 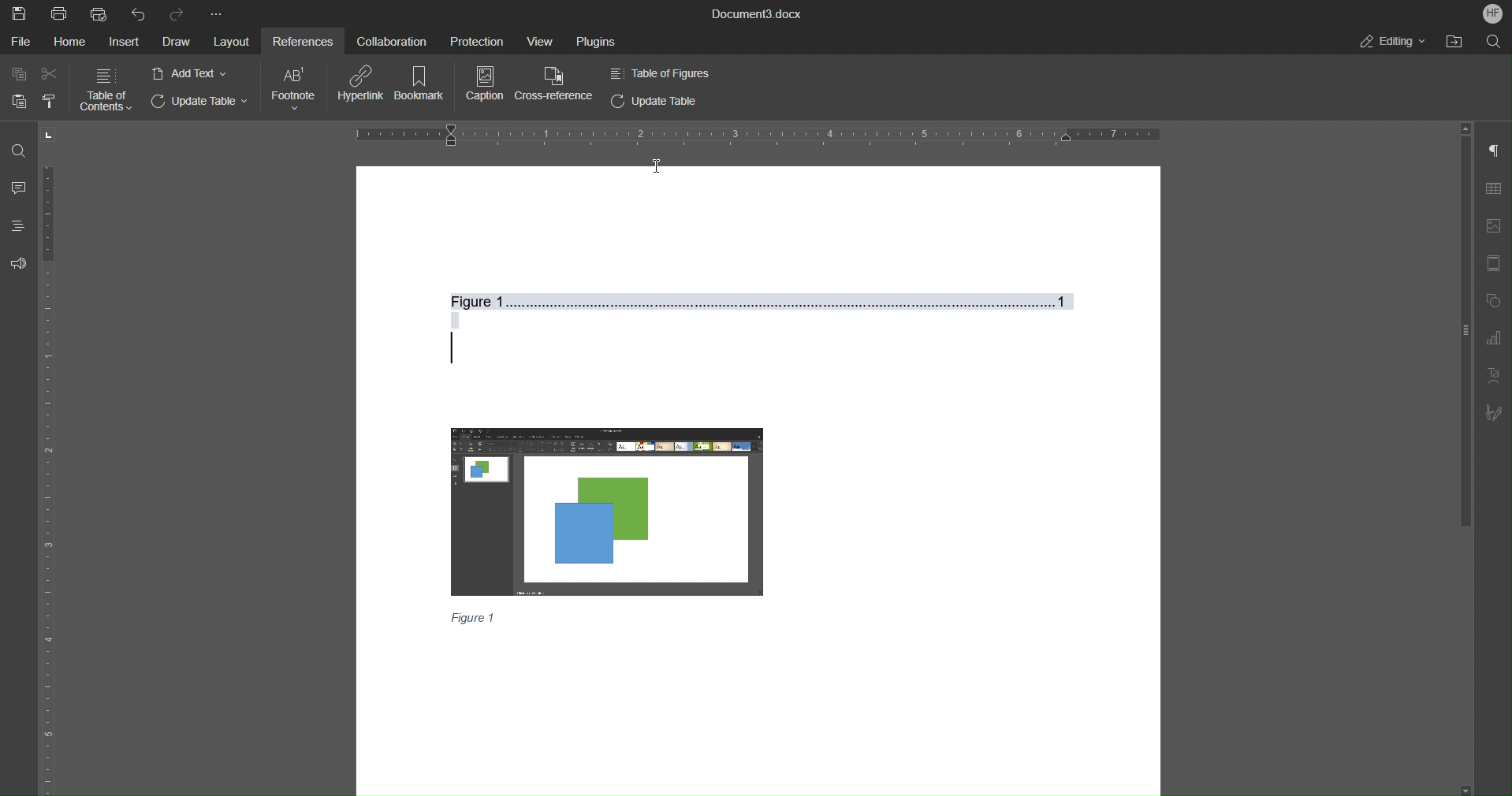 I want to click on Home, so click(x=73, y=42).